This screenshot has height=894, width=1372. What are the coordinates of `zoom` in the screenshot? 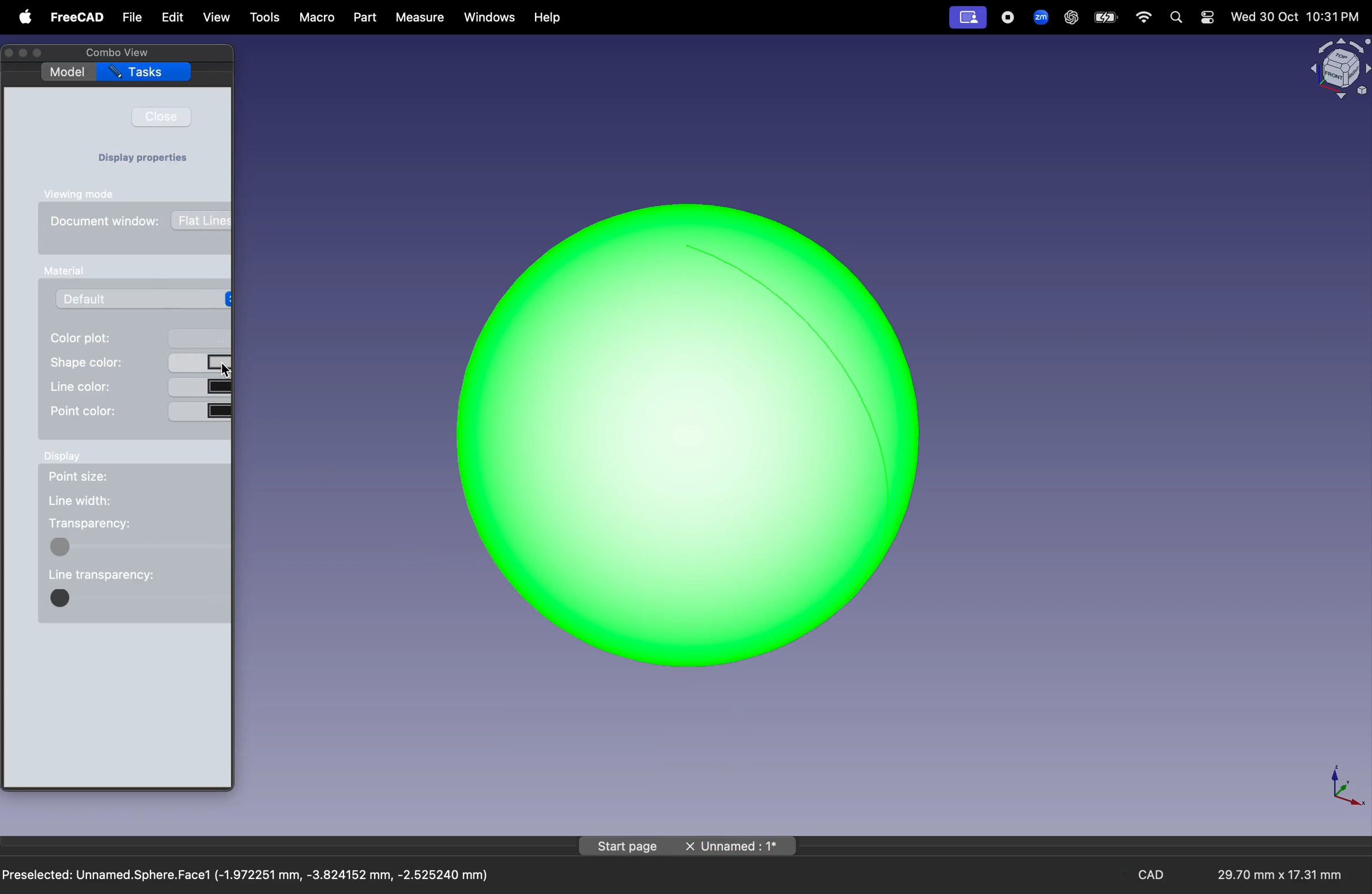 It's located at (1038, 16).